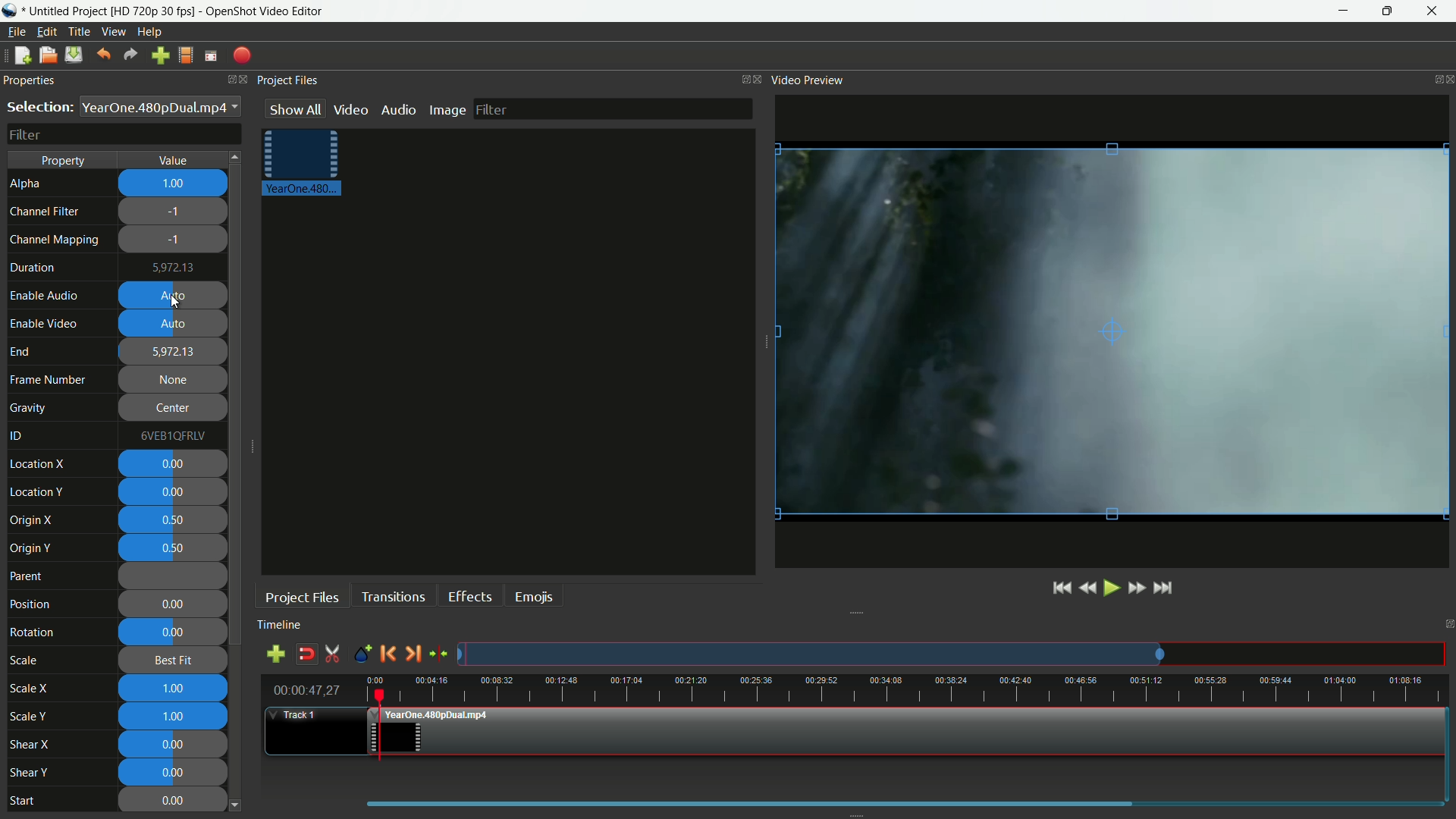 The height and width of the screenshot is (819, 1456). Describe the element at coordinates (64, 161) in the screenshot. I see `property` at that location.